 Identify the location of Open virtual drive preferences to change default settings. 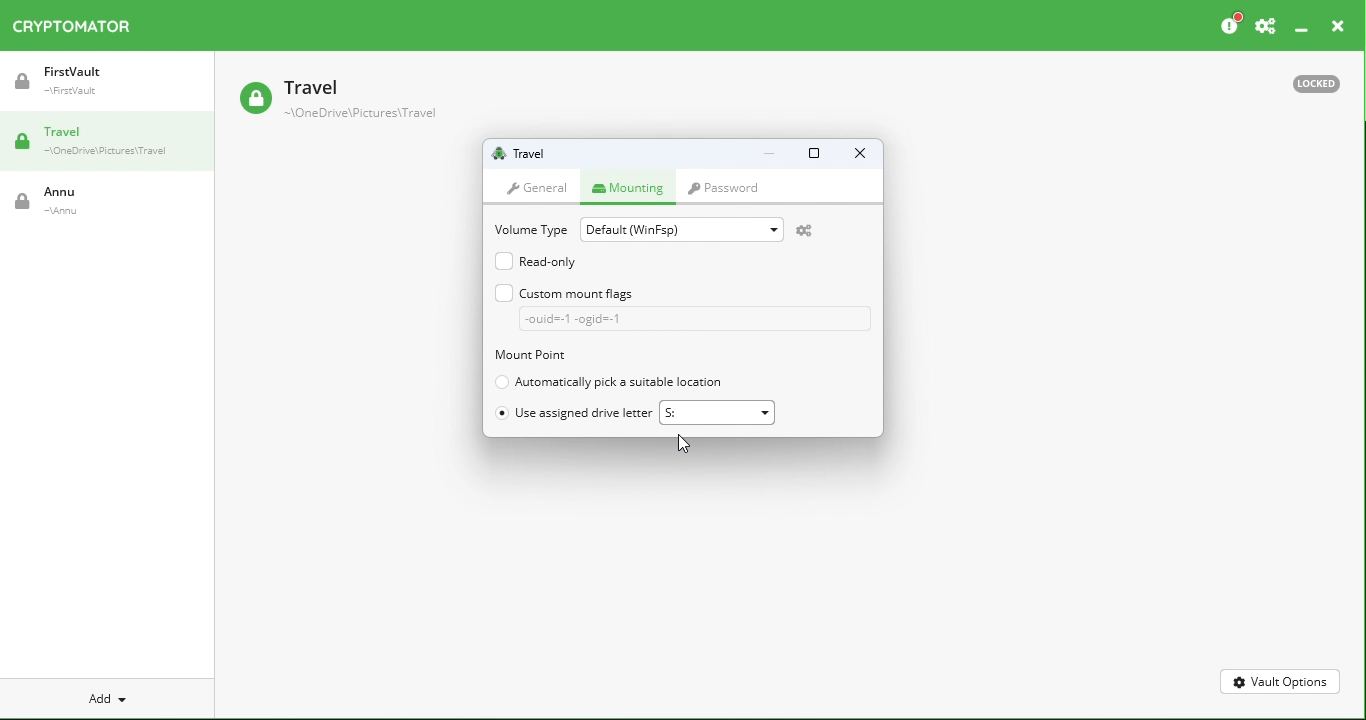
(813, 231).